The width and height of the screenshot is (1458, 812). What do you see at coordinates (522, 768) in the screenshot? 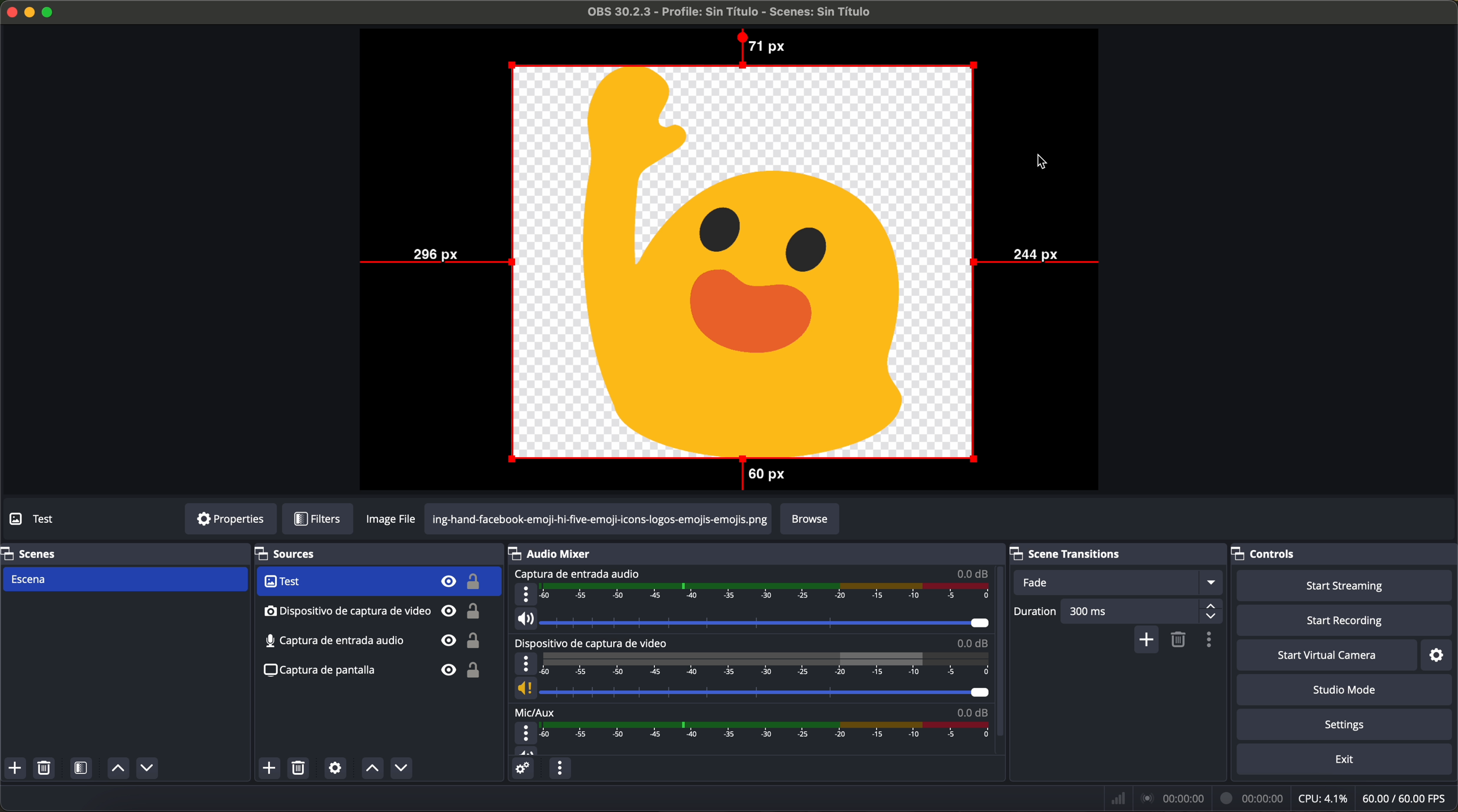
I see `advanced audio properties` at bounding box center [522, 768].